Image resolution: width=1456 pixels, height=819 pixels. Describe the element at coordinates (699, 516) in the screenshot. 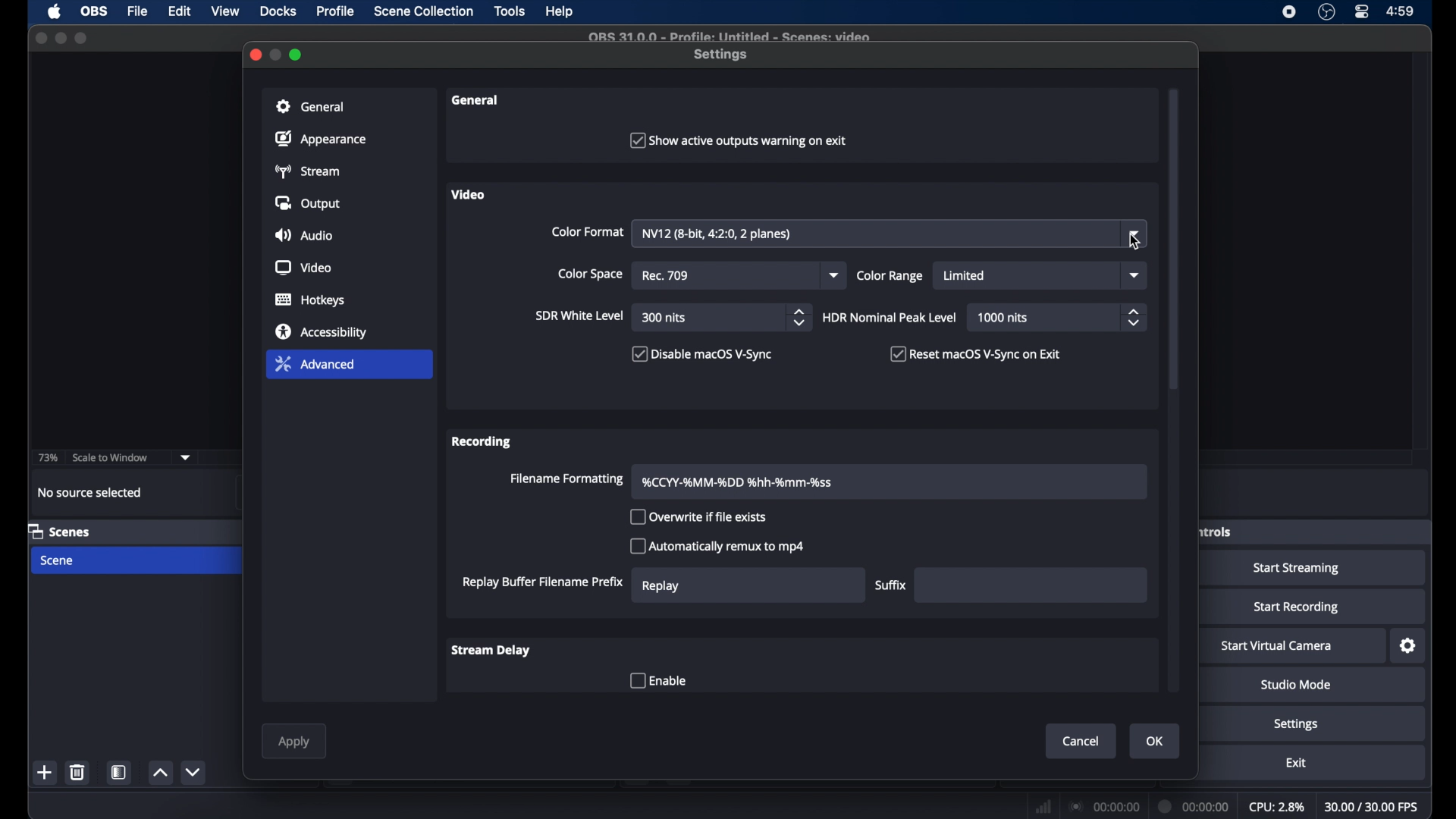

I see `overwrite if file  exists` at that location.